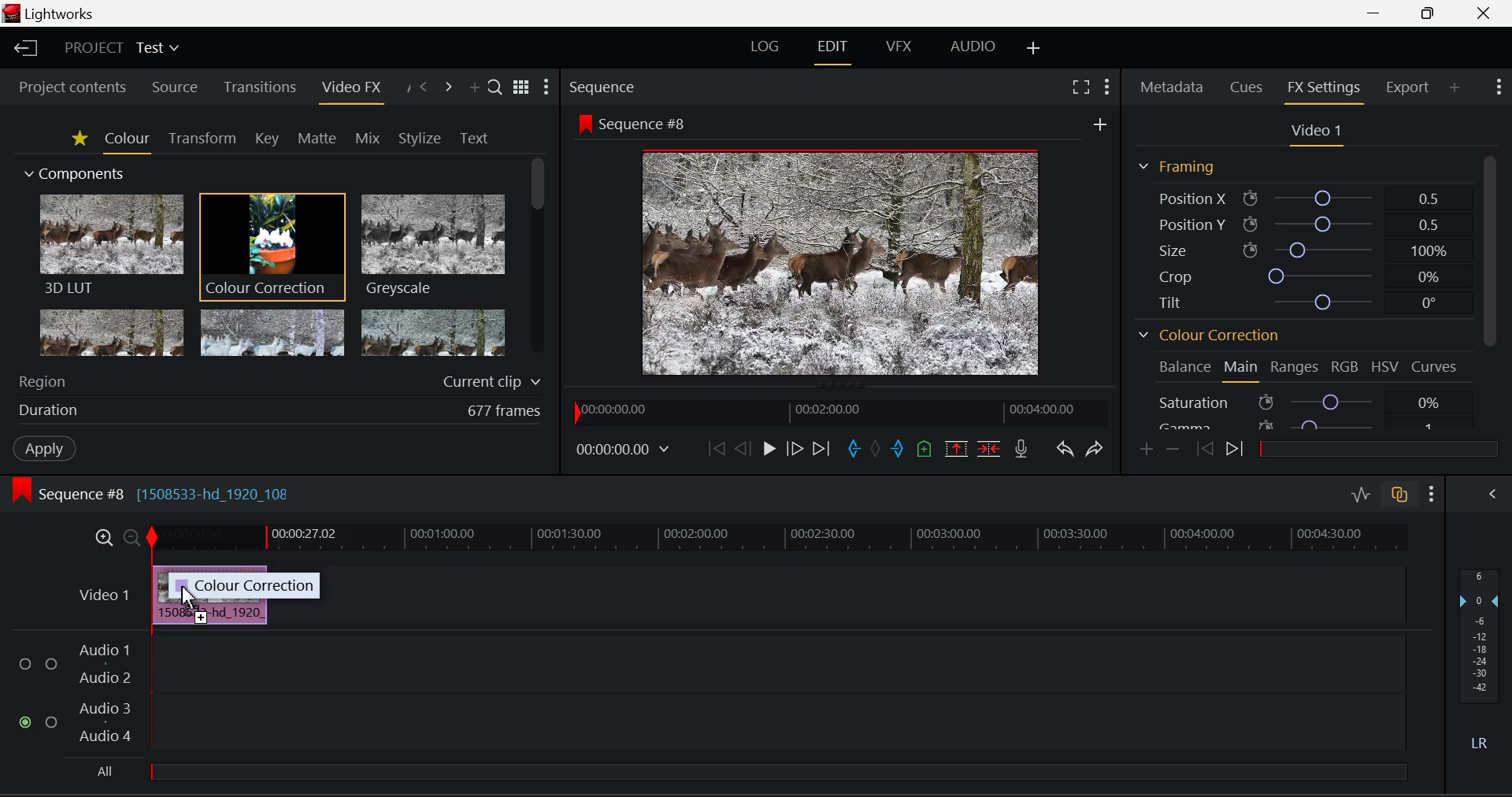 This screenshot has height=797, width=1512. Describe the element at coordinates (623, 451) in the screenshot. I see `Frame Time` at that location.